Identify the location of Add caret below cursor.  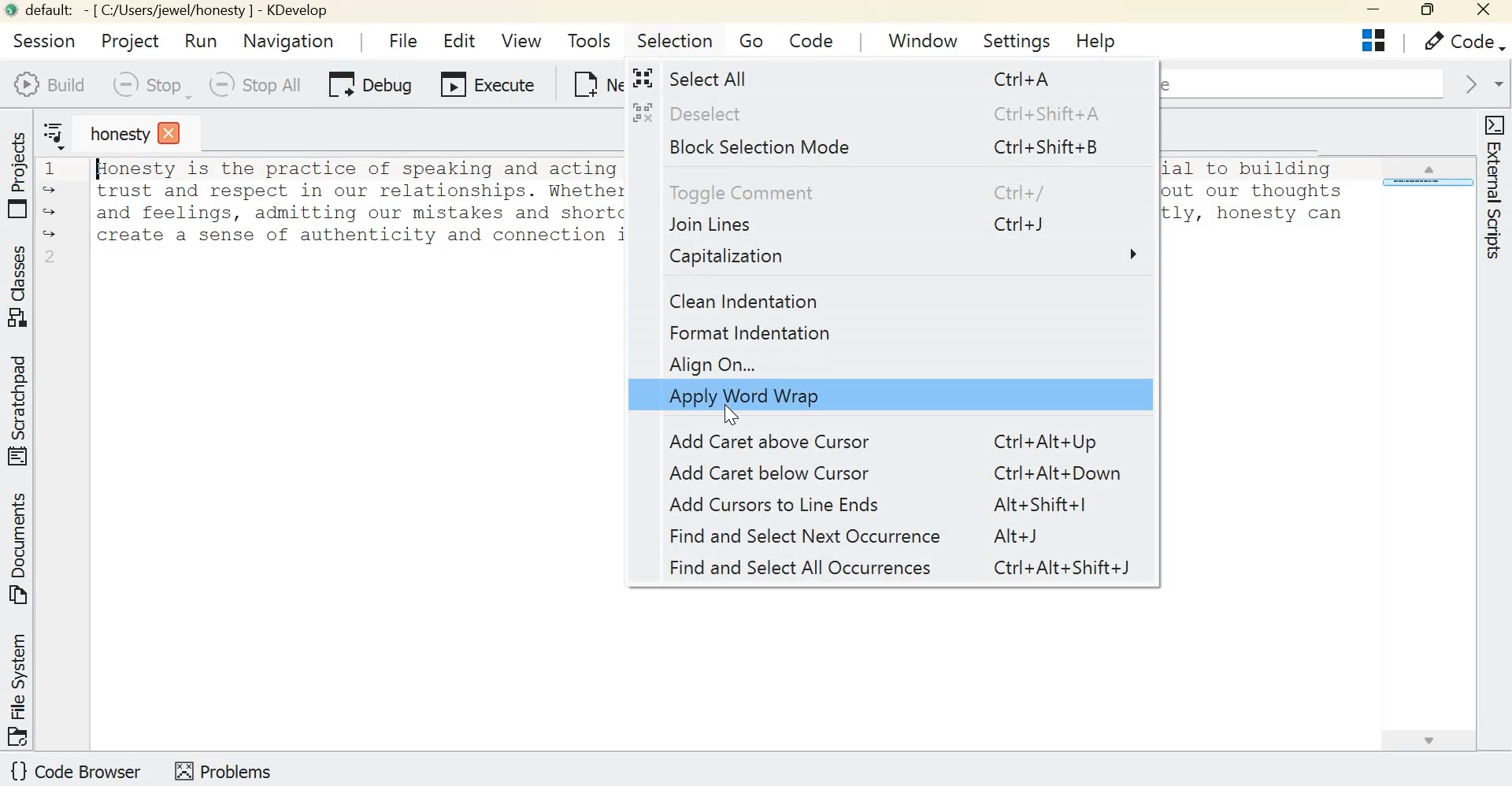
(892, 473).